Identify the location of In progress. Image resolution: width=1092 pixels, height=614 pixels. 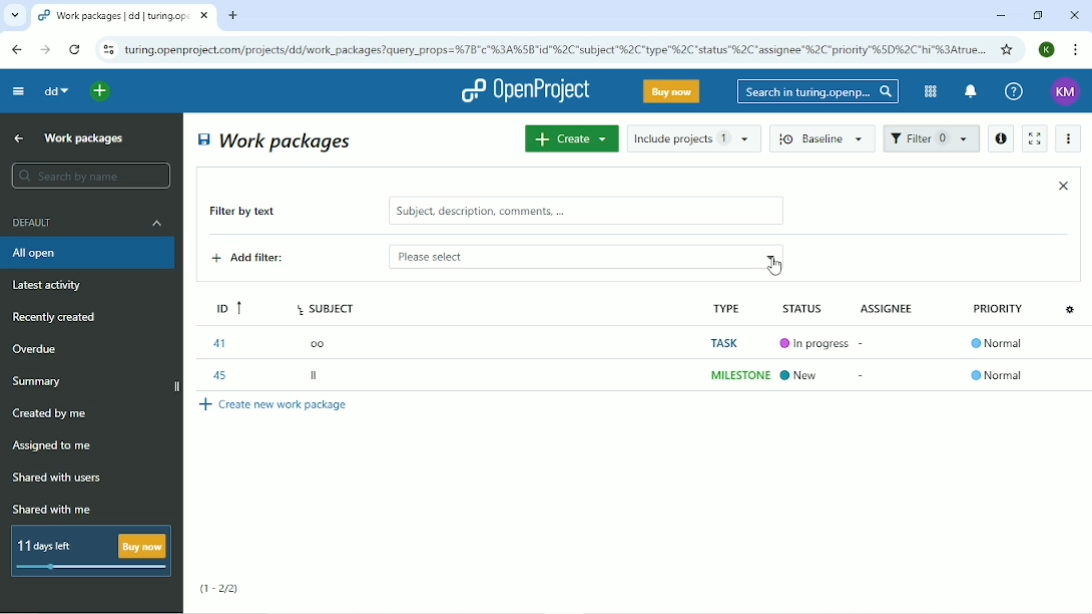
(823, 340).